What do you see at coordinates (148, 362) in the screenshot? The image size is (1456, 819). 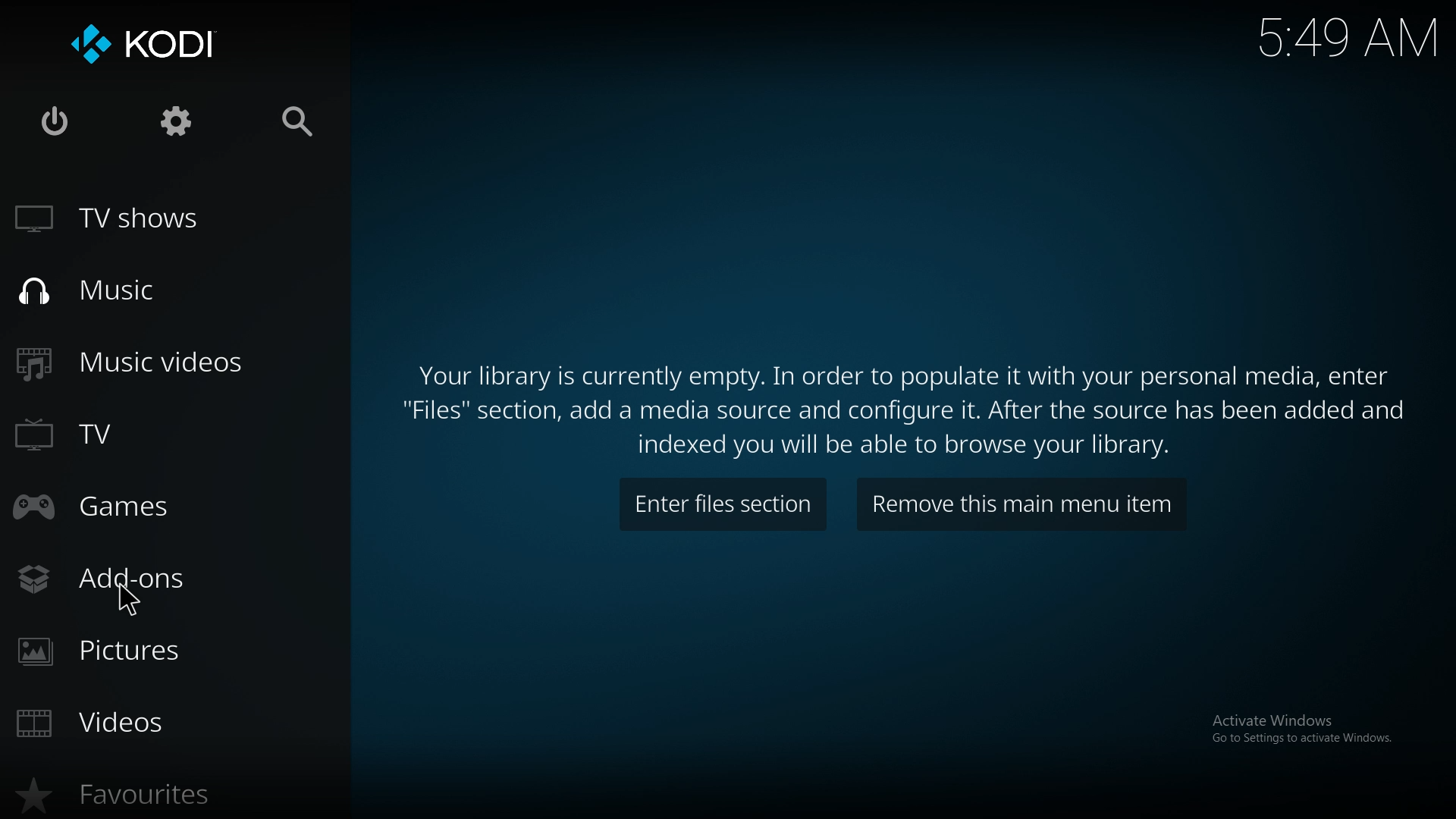 I see `music videos` at bounding box center [148, 362].